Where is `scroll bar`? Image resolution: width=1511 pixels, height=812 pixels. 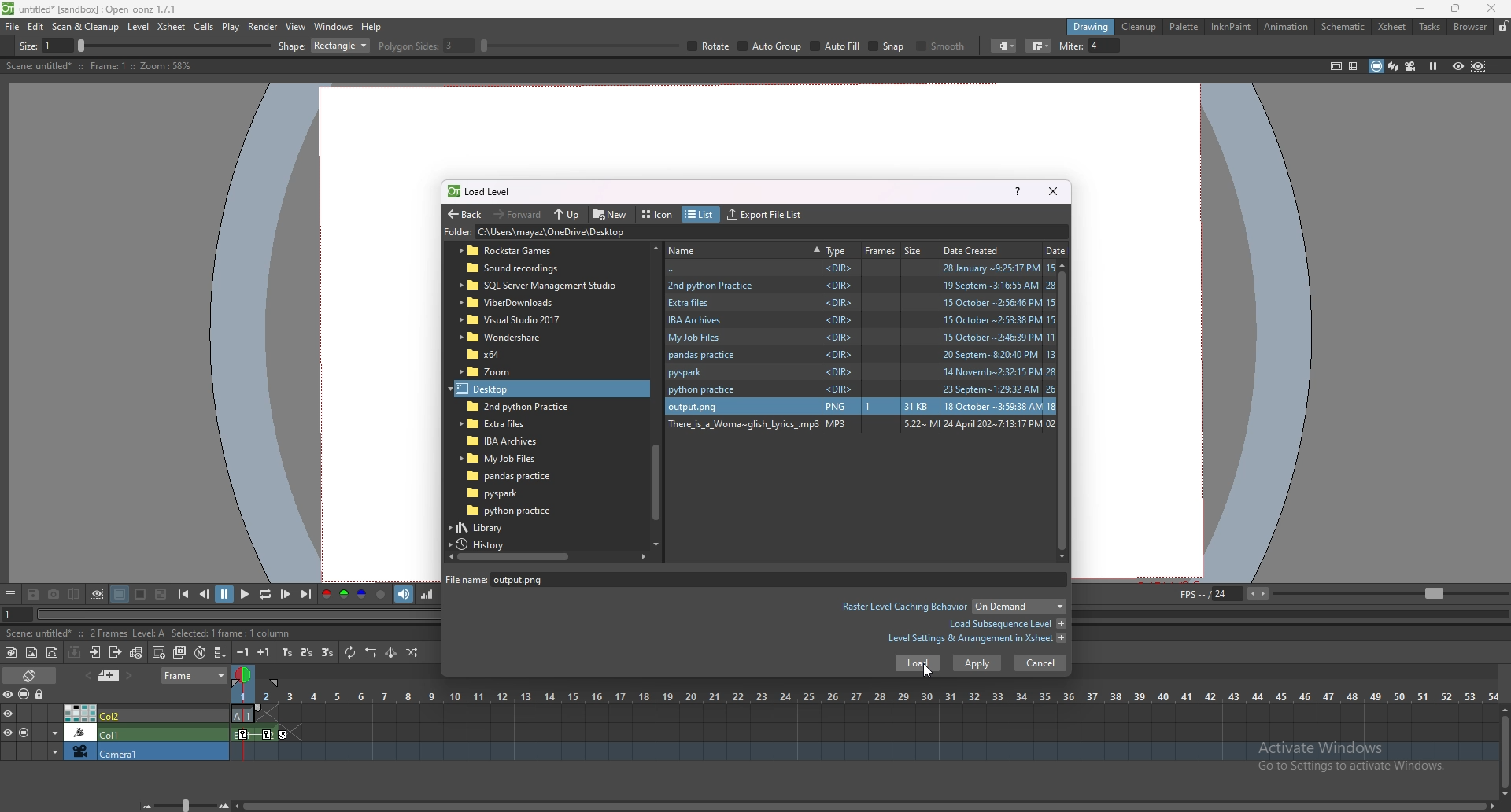
scroll bar is located at coordinates (1067, 410).